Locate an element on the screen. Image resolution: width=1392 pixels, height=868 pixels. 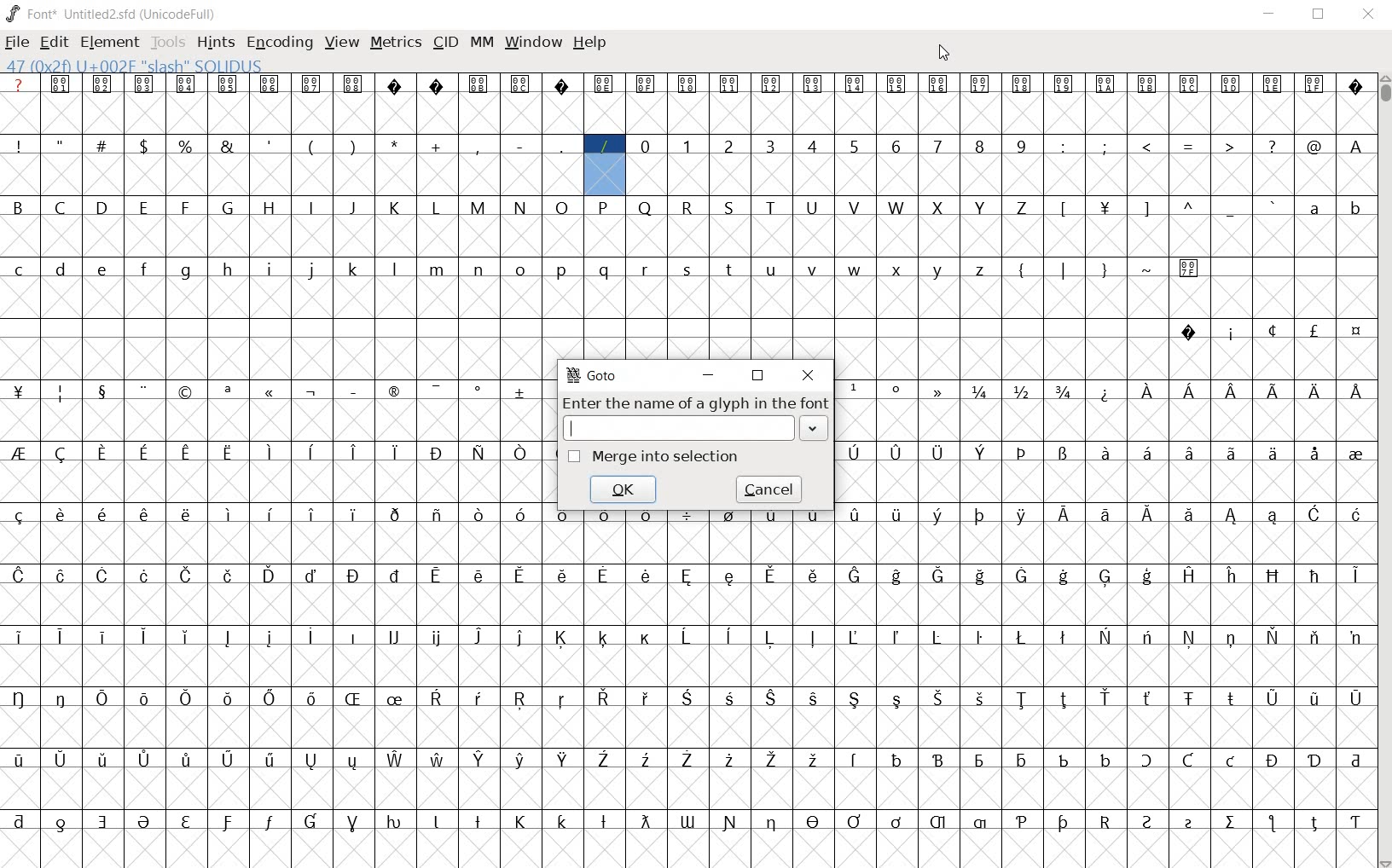
glyph is located at coordinates (936, 516).